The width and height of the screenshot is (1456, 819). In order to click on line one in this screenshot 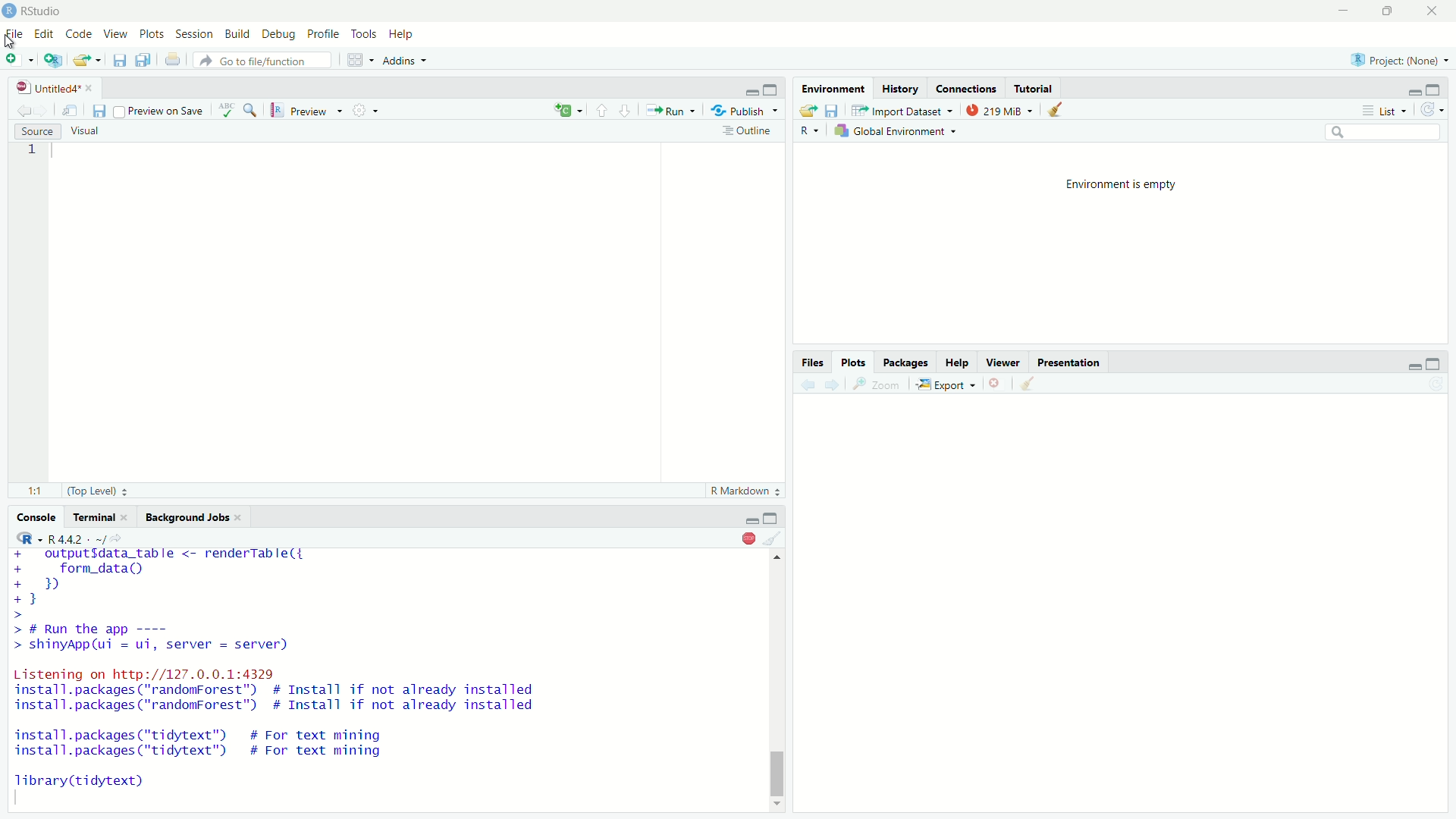, I will do `click(43, 149)`.